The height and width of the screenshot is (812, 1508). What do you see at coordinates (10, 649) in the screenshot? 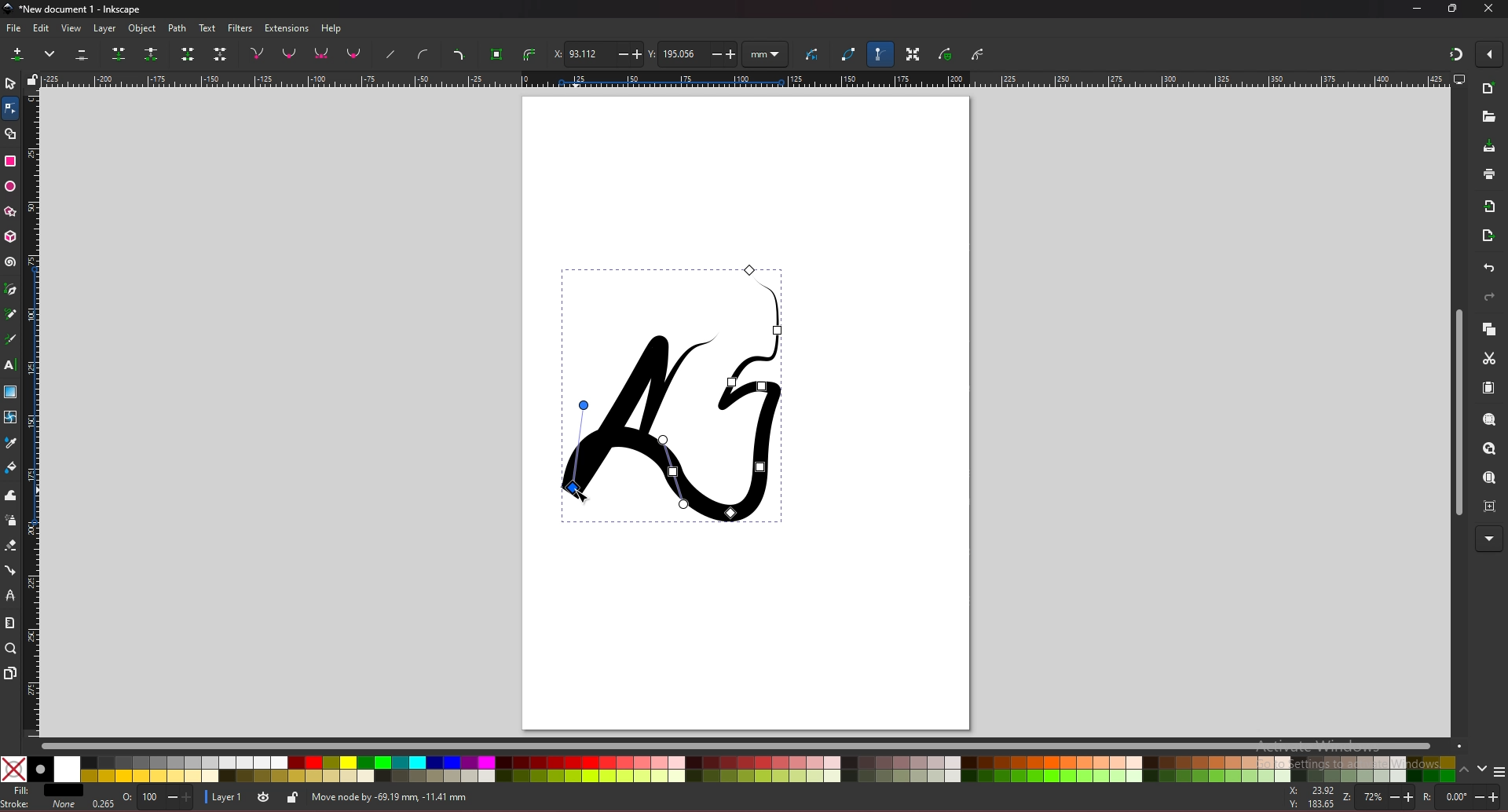
I see `zoom` at bounding box center [10, 649].